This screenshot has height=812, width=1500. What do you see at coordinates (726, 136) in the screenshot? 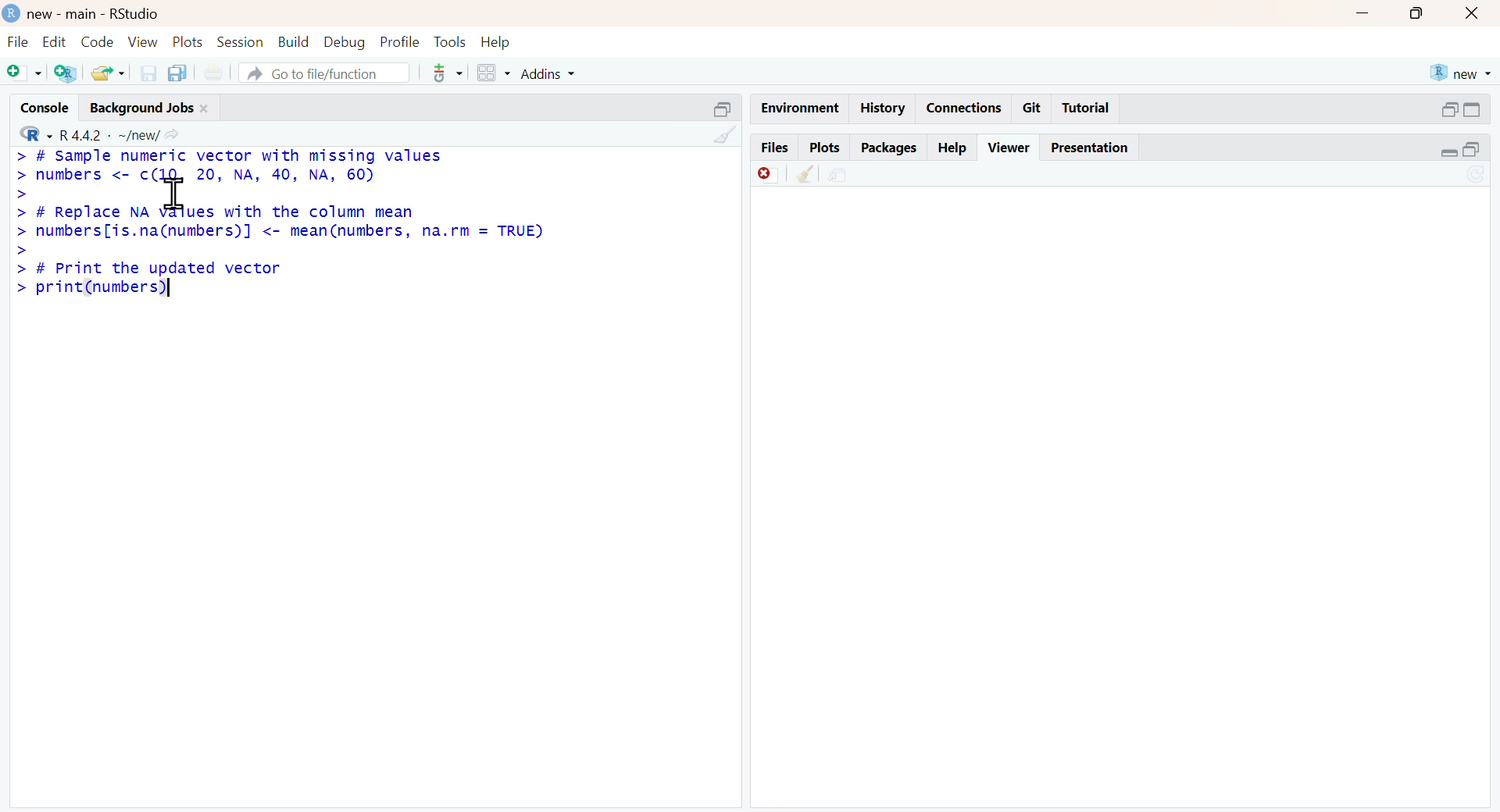
I see `clean` at bounding box center [726, 136].